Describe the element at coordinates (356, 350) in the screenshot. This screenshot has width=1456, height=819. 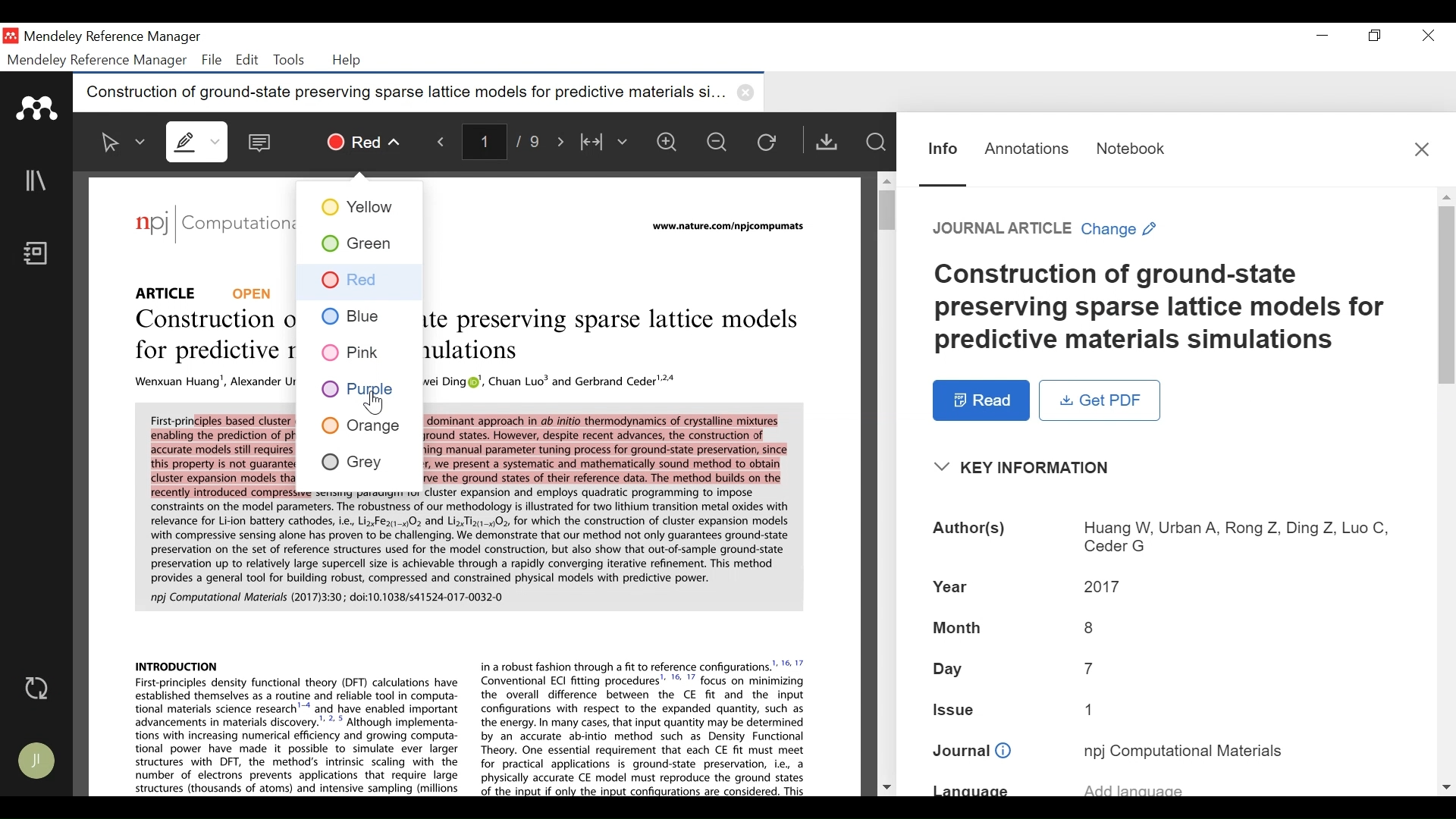
I see `Pink` at that location.